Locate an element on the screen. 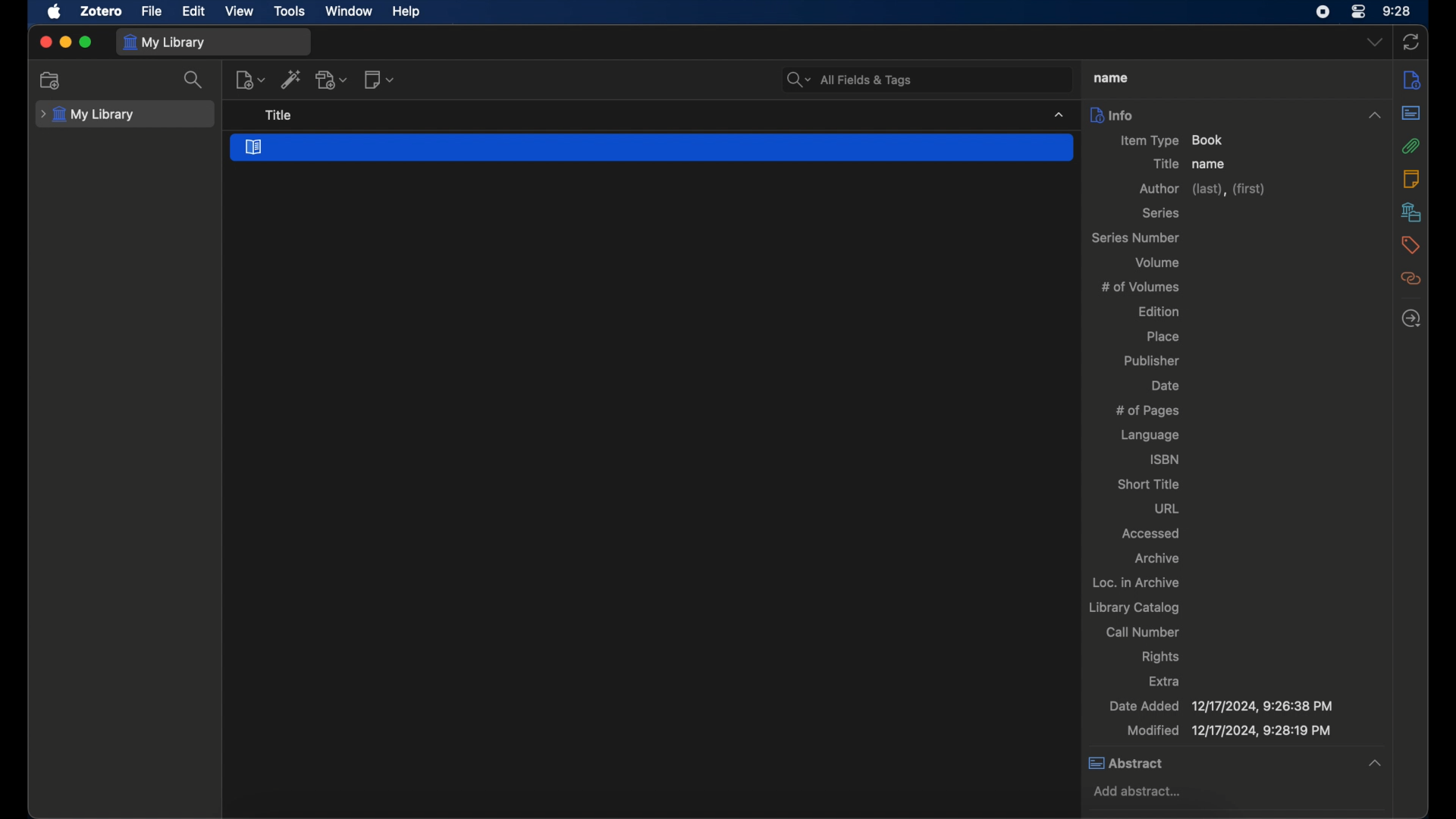  view is located at coordinates (240, 11).